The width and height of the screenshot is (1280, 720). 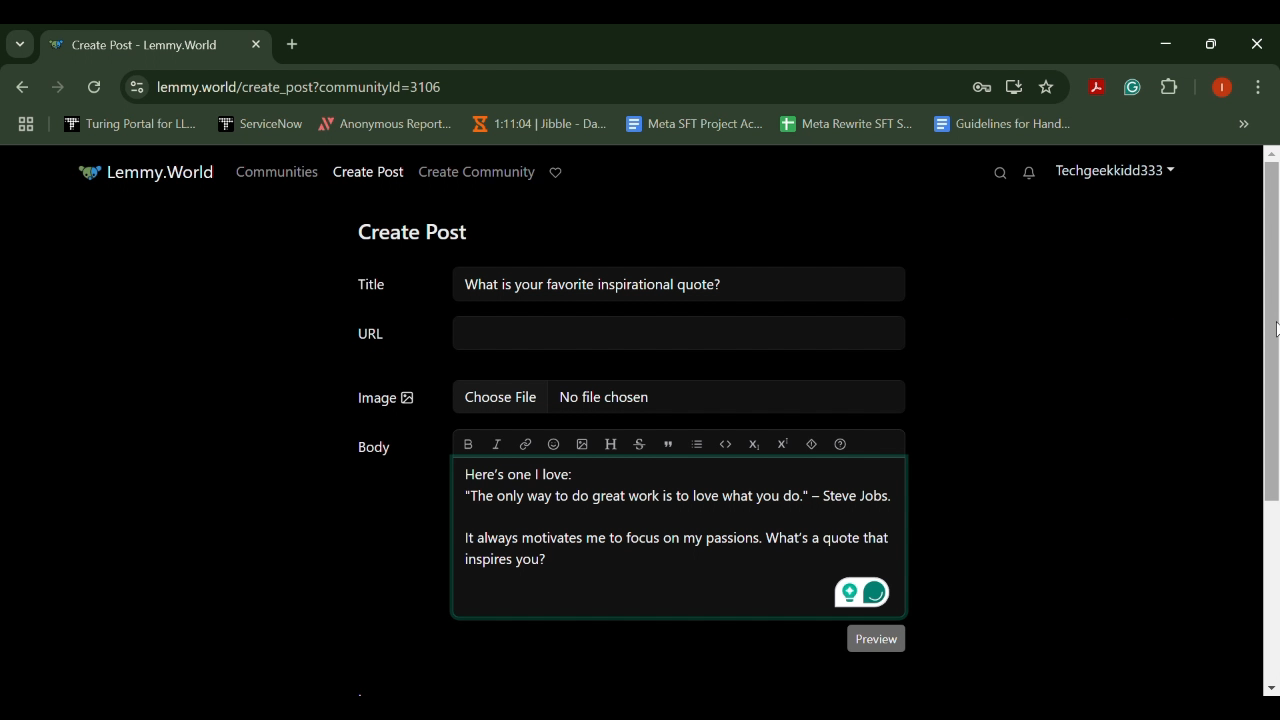 What do you see at coordinates (1013, 87) in the screenshot?
I see `Install Desktop Application` at bounding box center [1013, 87].